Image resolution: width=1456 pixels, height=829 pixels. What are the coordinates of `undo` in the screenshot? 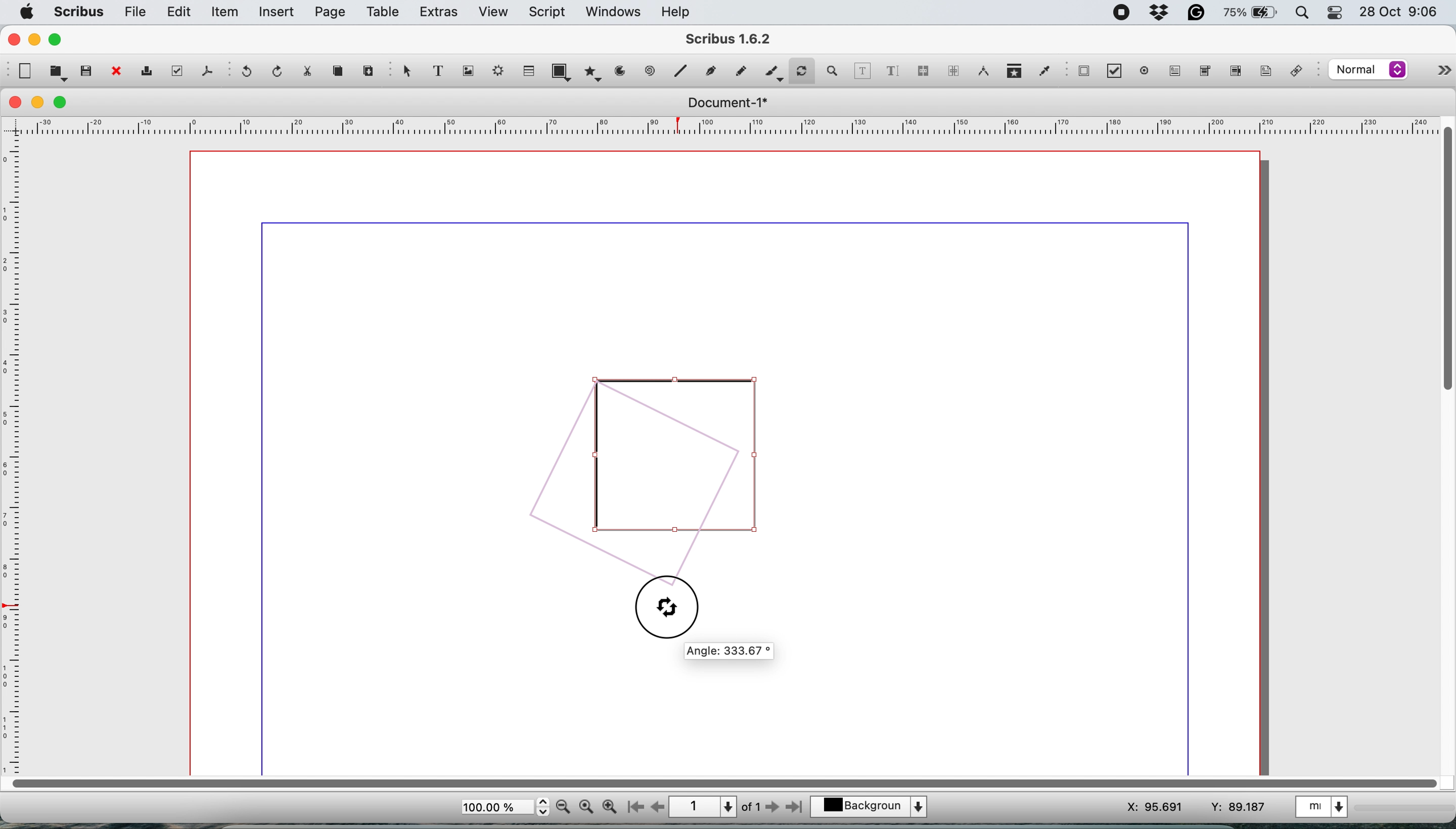 It's located at (249, 73).